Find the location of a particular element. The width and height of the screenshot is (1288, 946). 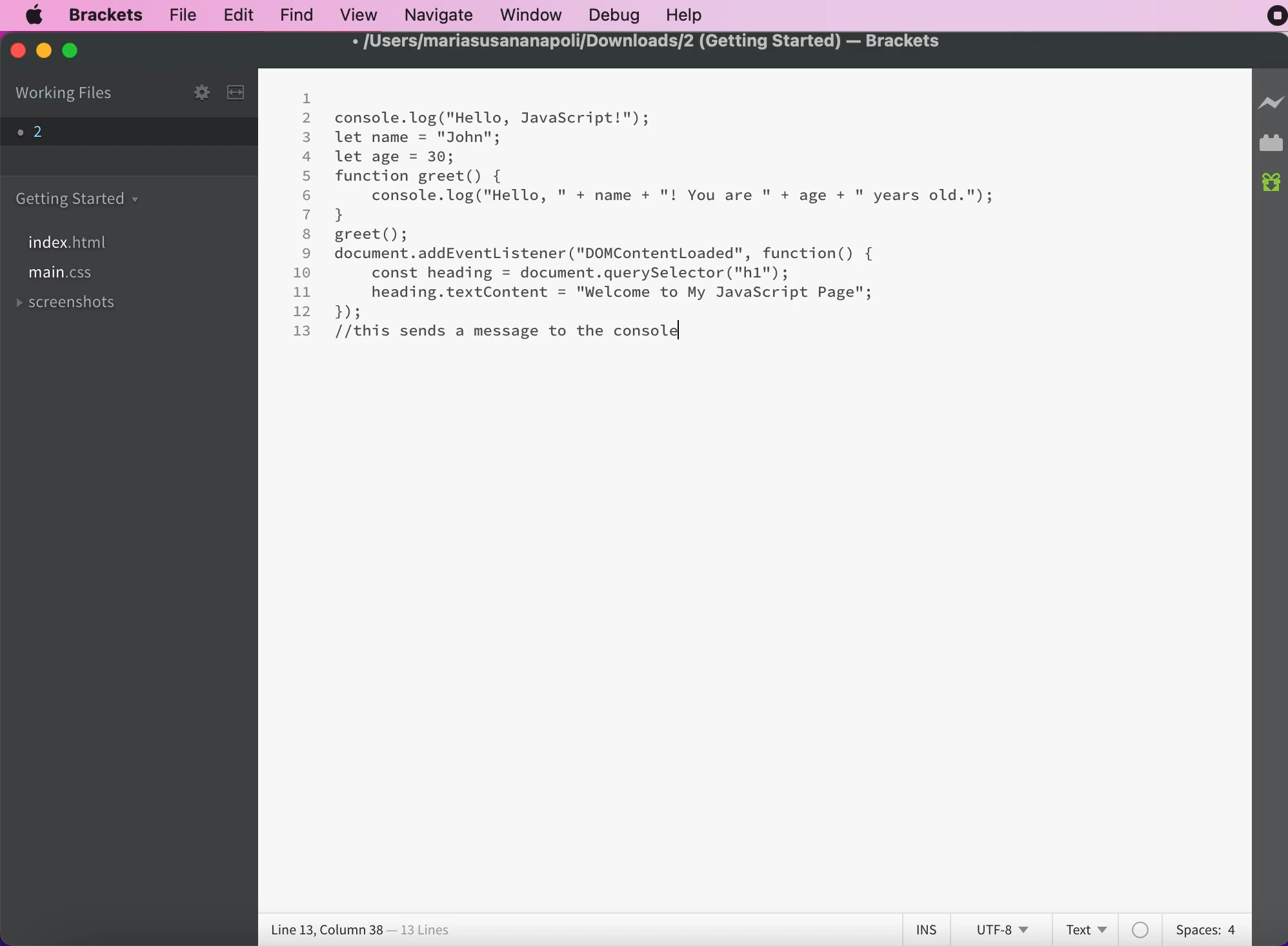

configure working set is located at coordinates (201, 92).